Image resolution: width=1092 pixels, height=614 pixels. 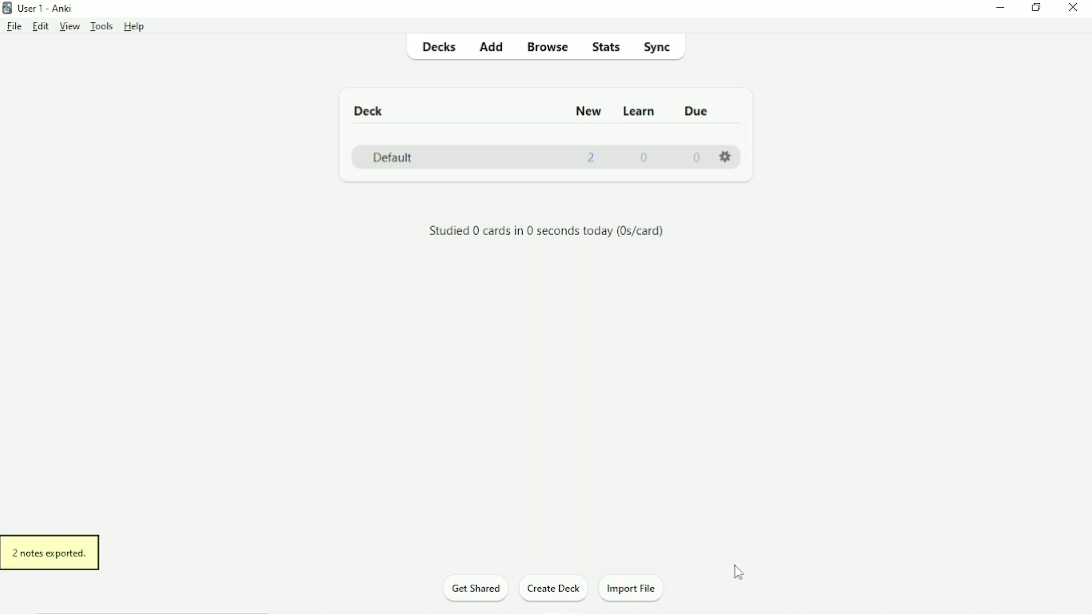 I want to click on Due, so click(x=700, y=110).